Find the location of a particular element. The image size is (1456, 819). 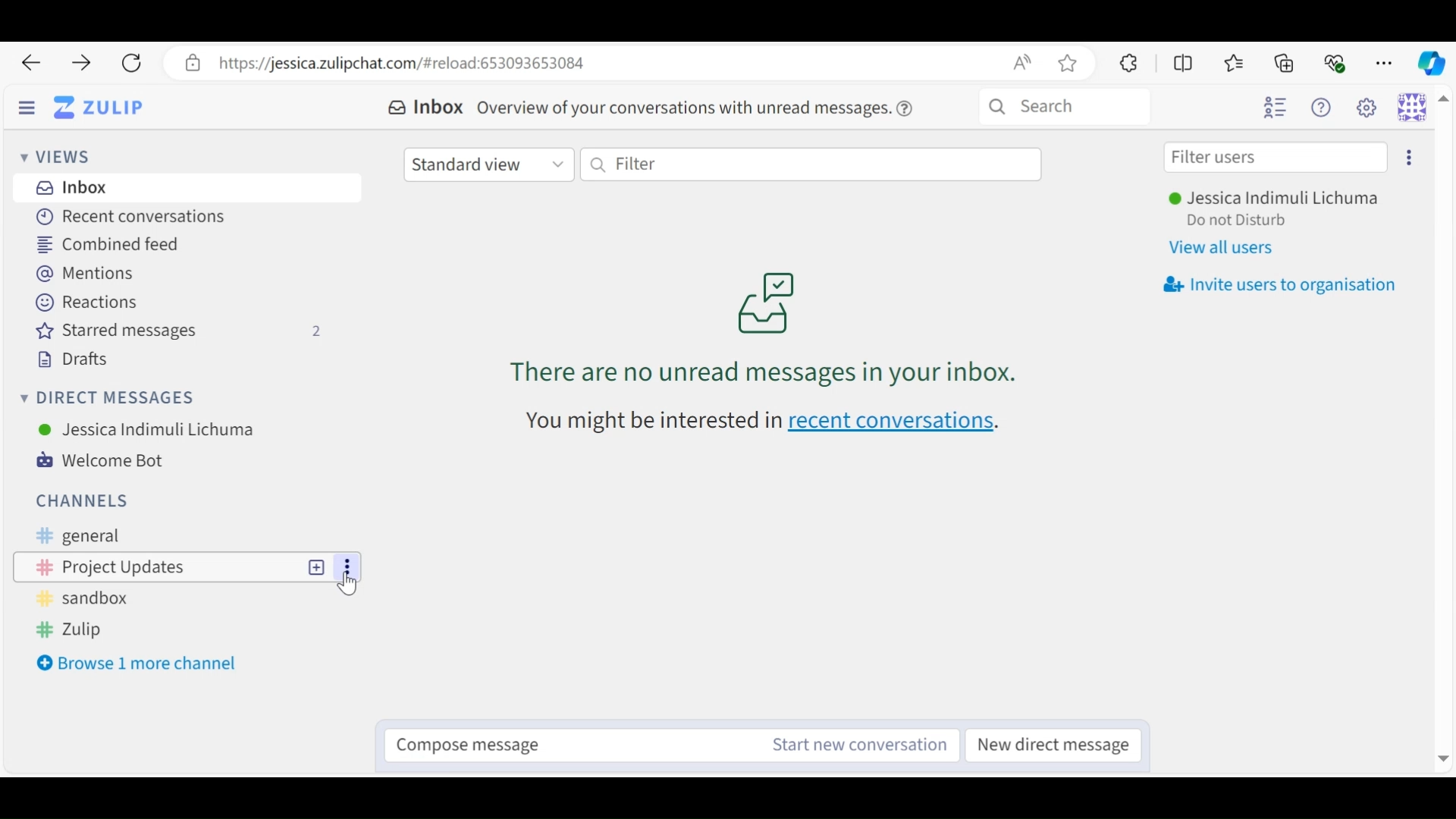

Reload is located at coordinates (130, 64).